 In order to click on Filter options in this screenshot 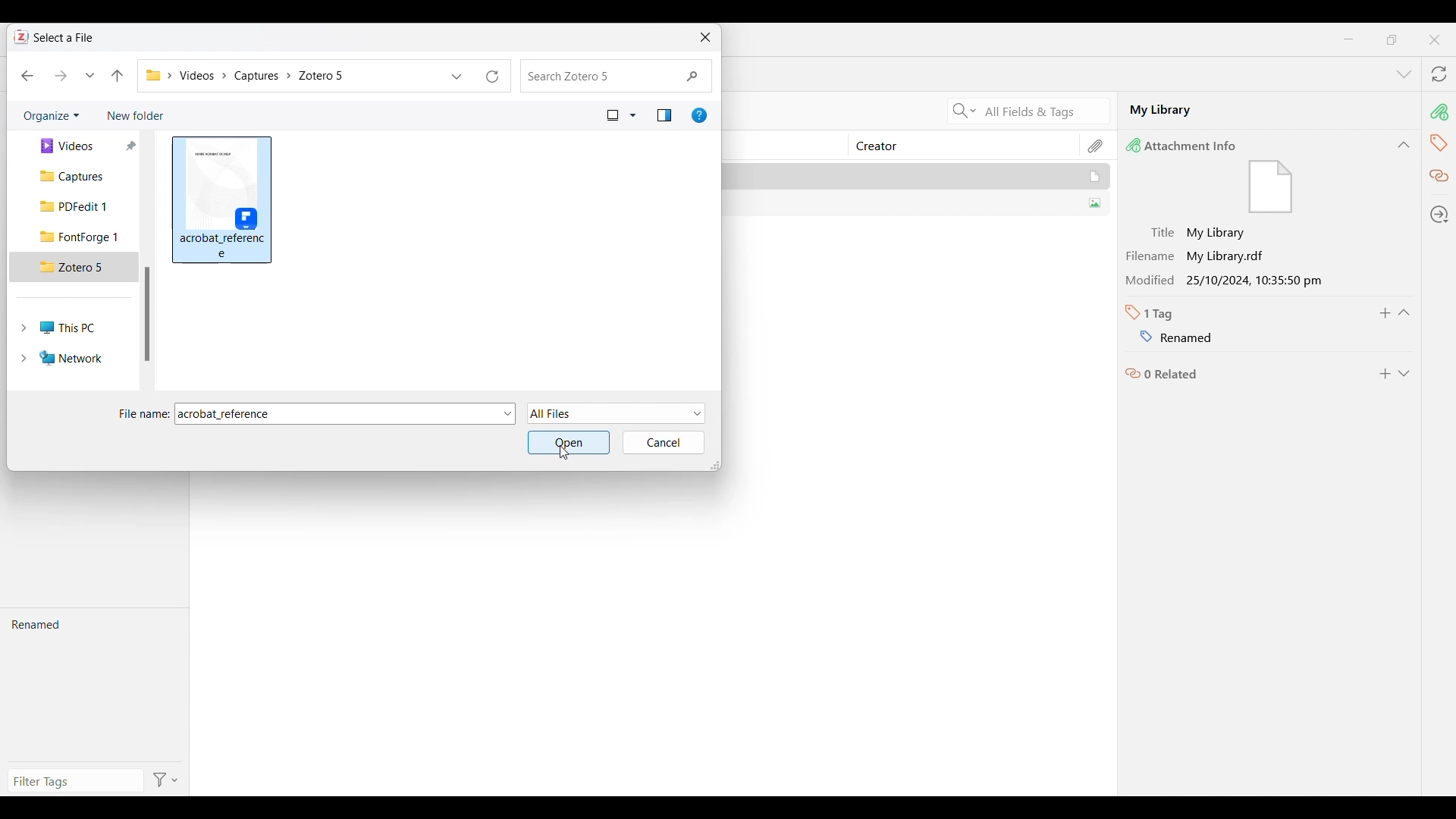, I will do `click(166, 779)`.